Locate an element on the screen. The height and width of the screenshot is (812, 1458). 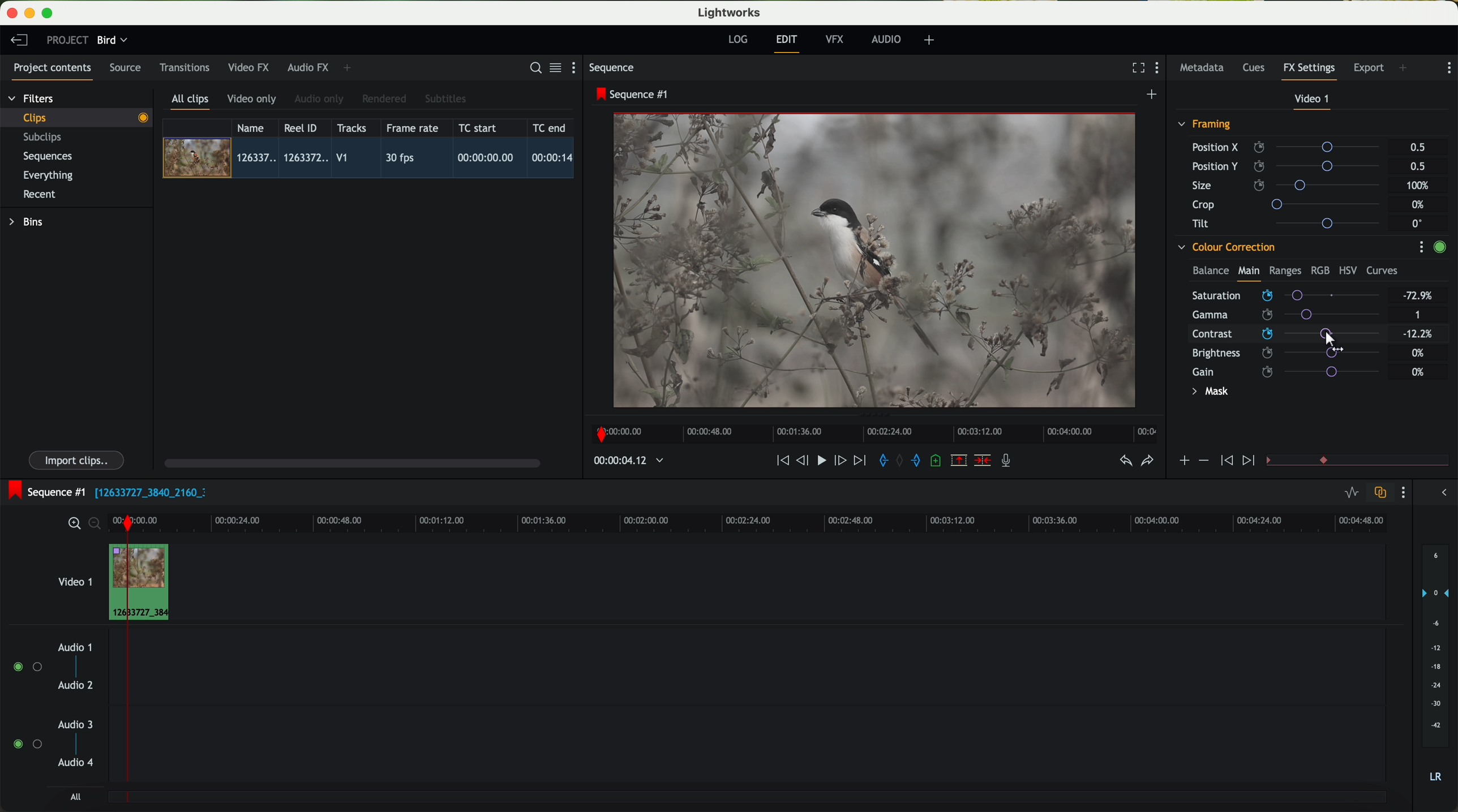
add panel is located at coordinates (1406, 69).